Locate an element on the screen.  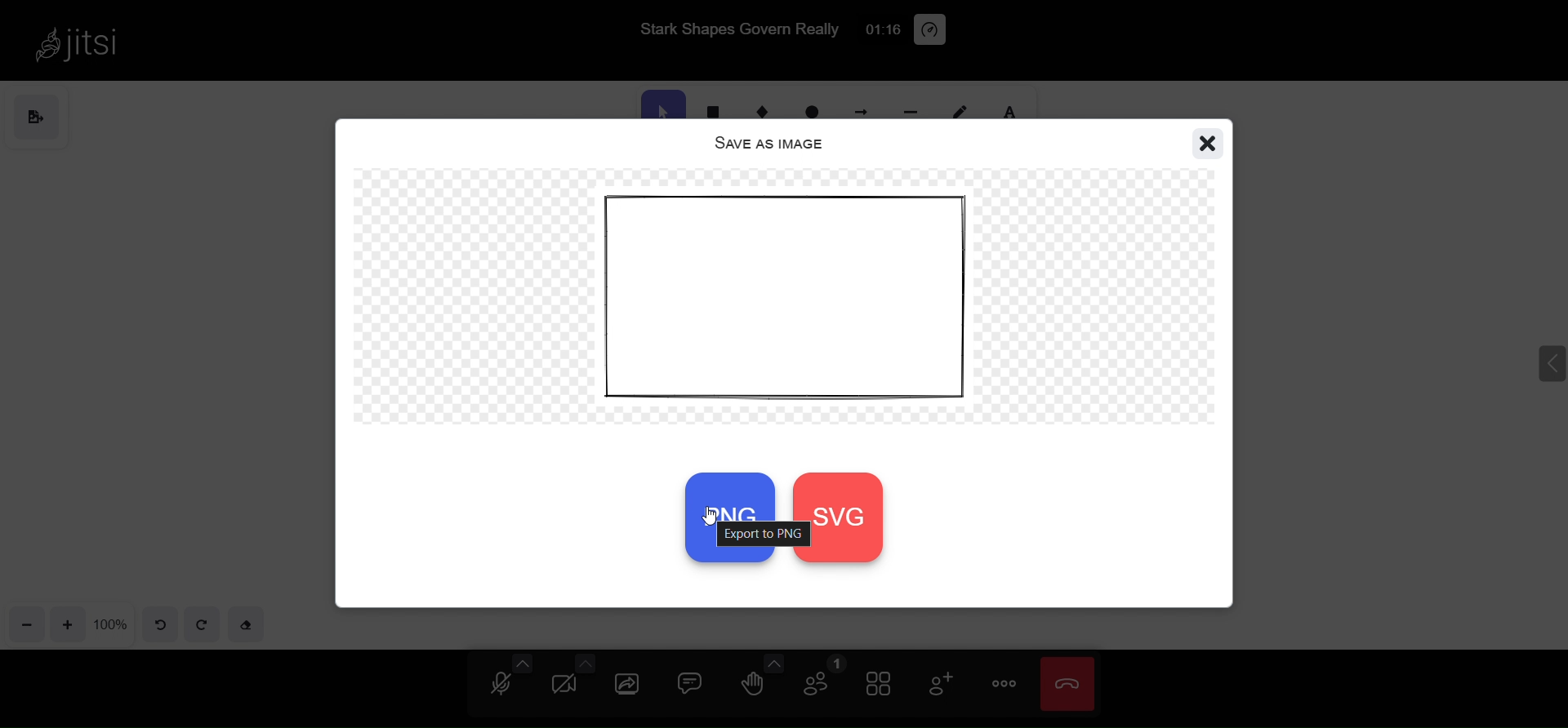
microphone is located at coordinates (504, 686).